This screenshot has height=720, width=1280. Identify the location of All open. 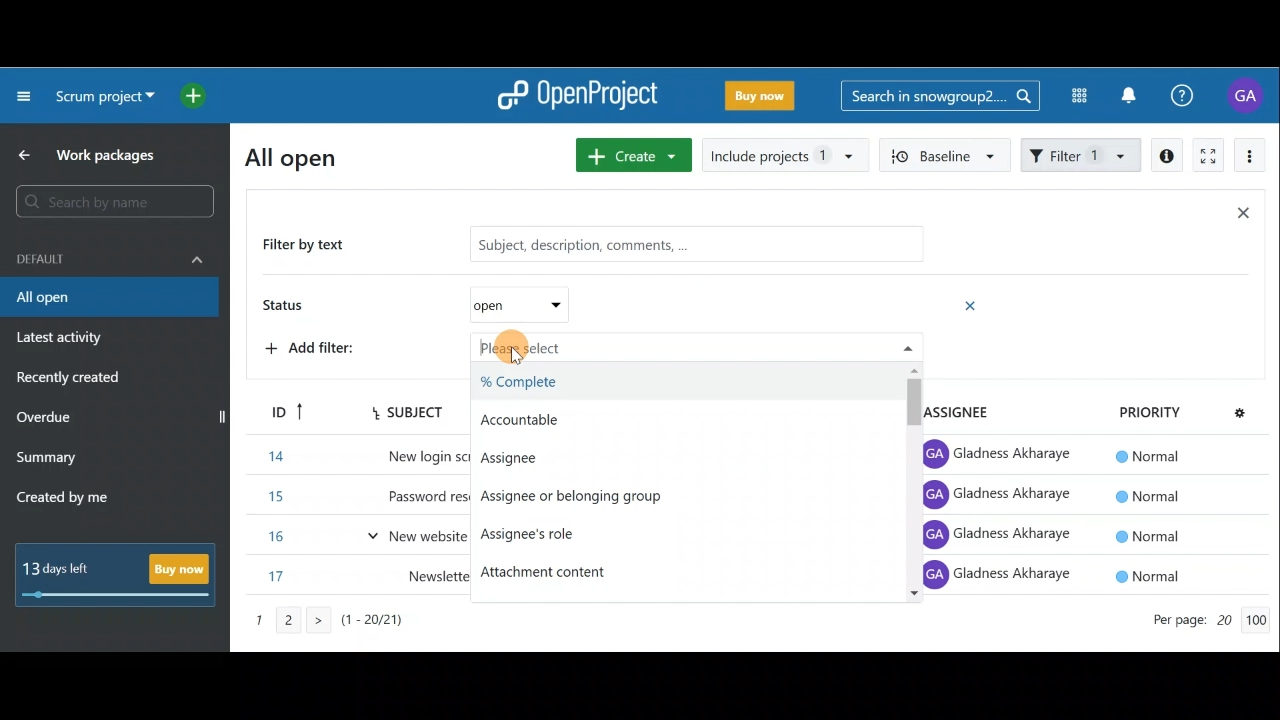
(108, 298).